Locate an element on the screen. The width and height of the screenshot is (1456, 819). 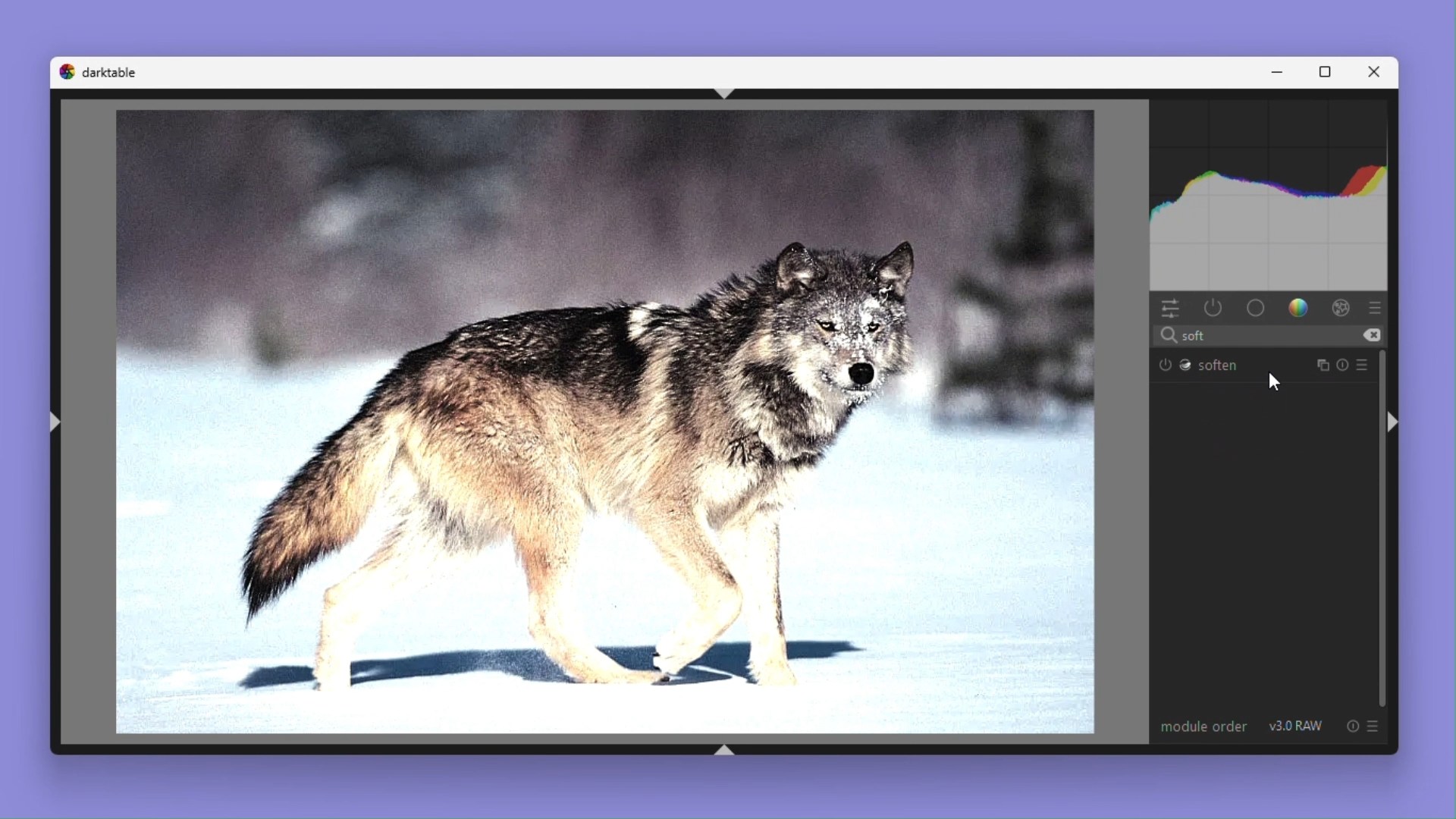
Preset is located at coordinates (1367, 365).